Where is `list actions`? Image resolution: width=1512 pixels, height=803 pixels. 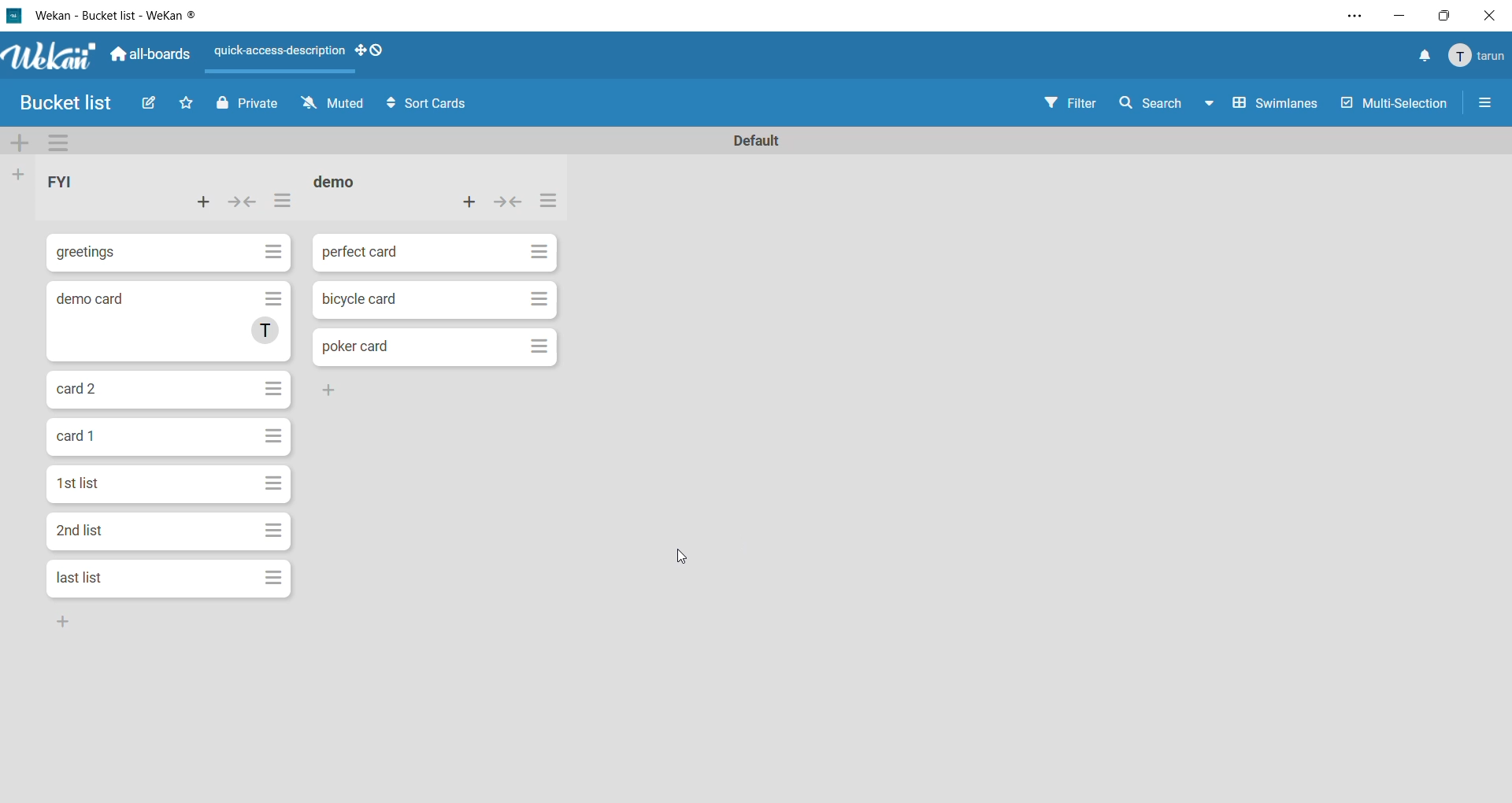
list actions is located at coordinates (554, 202).